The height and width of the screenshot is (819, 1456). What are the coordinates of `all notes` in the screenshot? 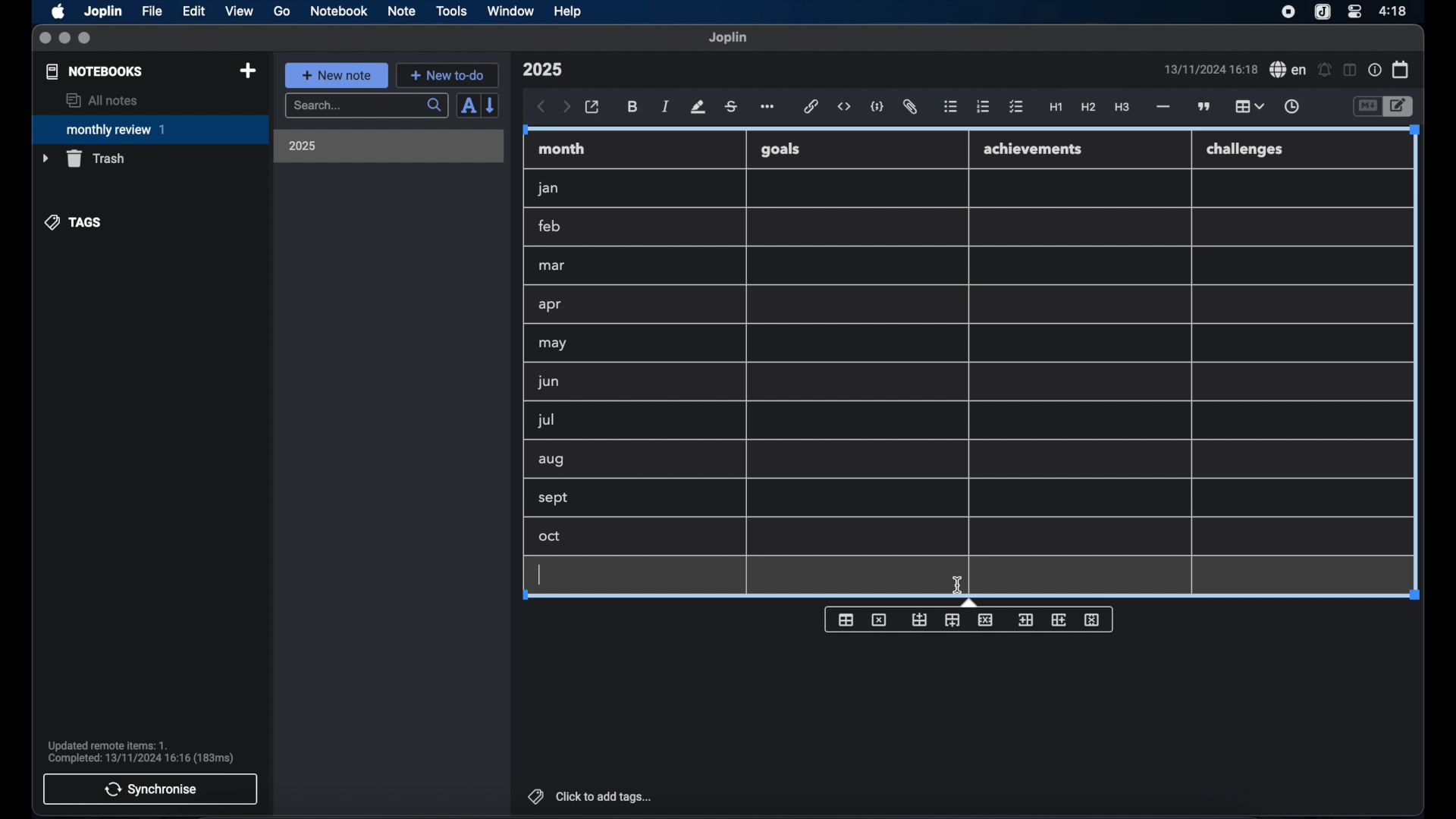 It's located at (102, 100).